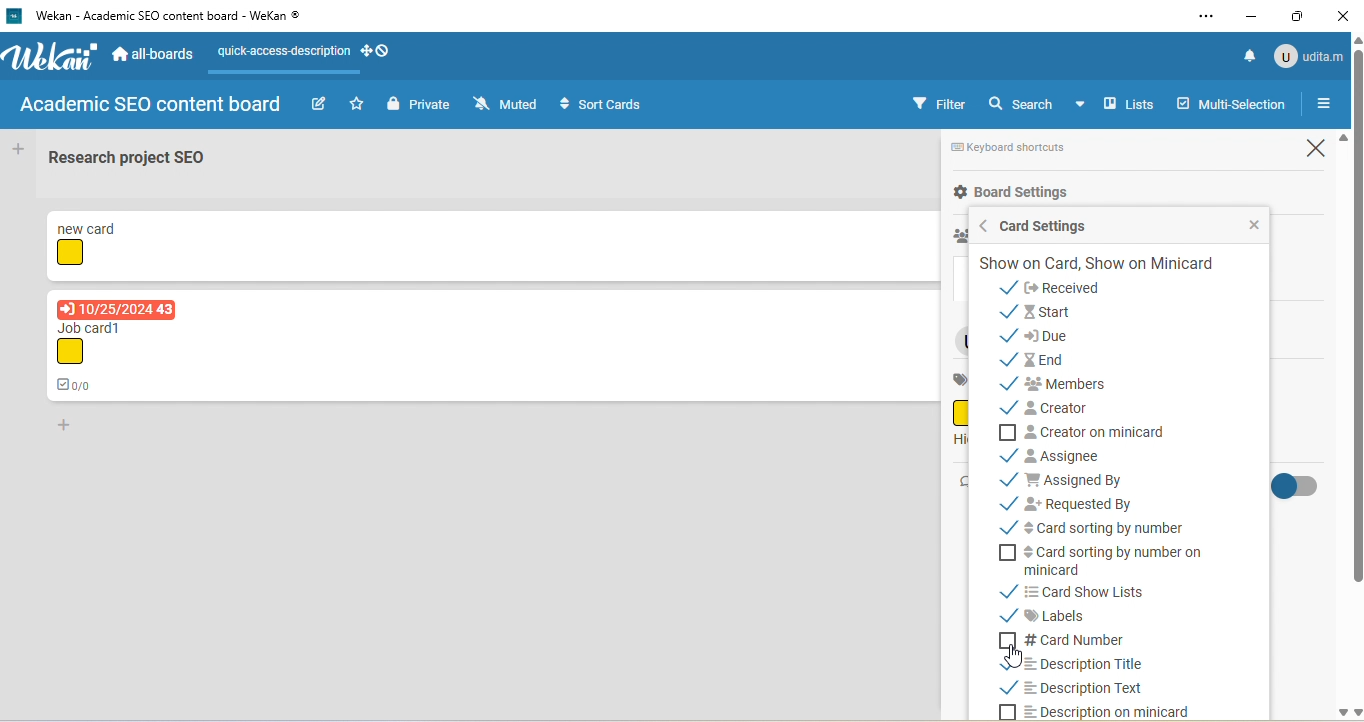 Image resolution: width=1364 pixels, height=722 pixels. What do you see at coordinates (1085, 478) in the screenshot?
I see `assigned by` at bounding box center [1085, 478].